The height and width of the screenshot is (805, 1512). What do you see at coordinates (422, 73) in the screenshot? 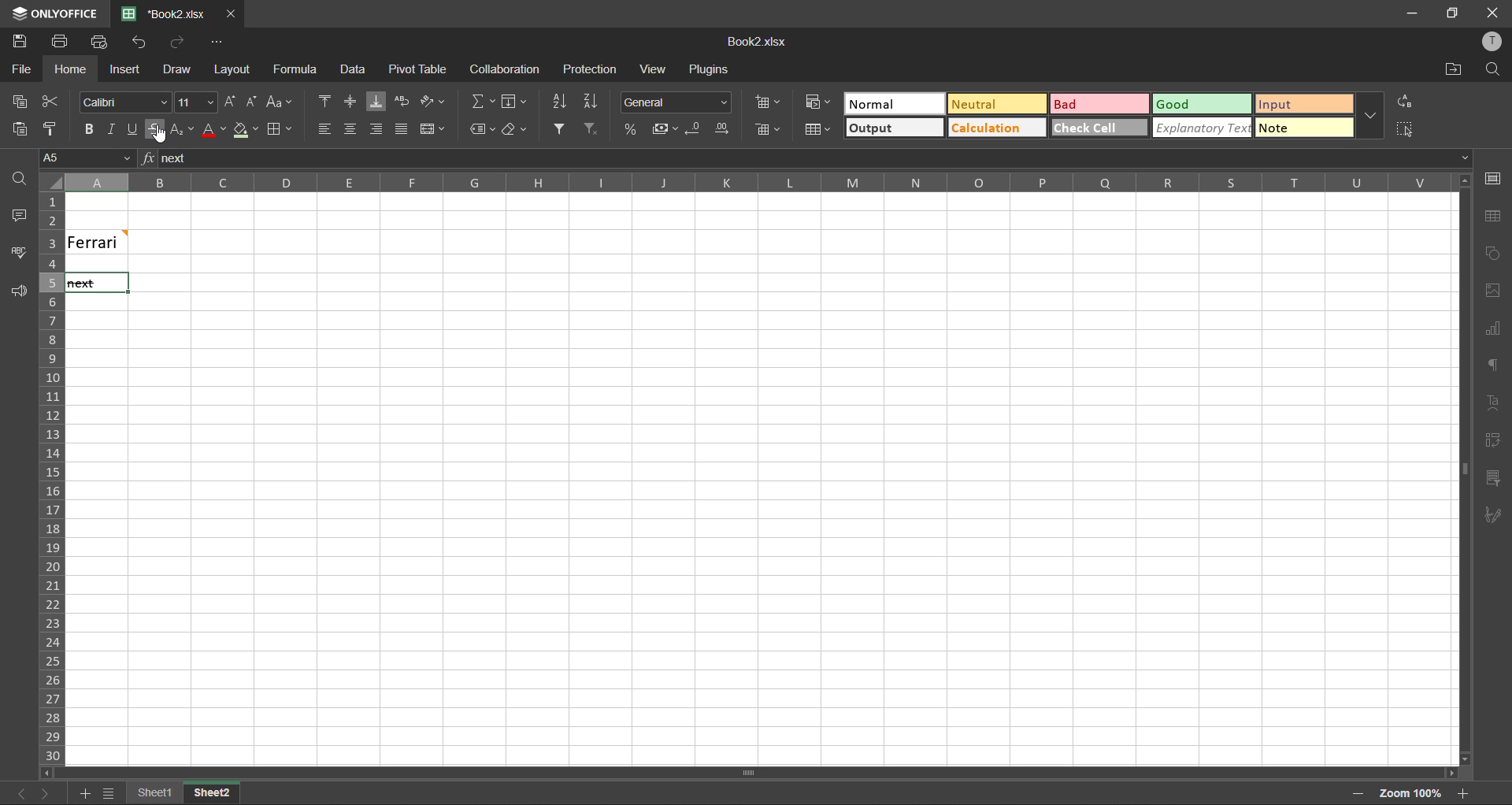
I see `pivot table` at bounding box center [422, 73].